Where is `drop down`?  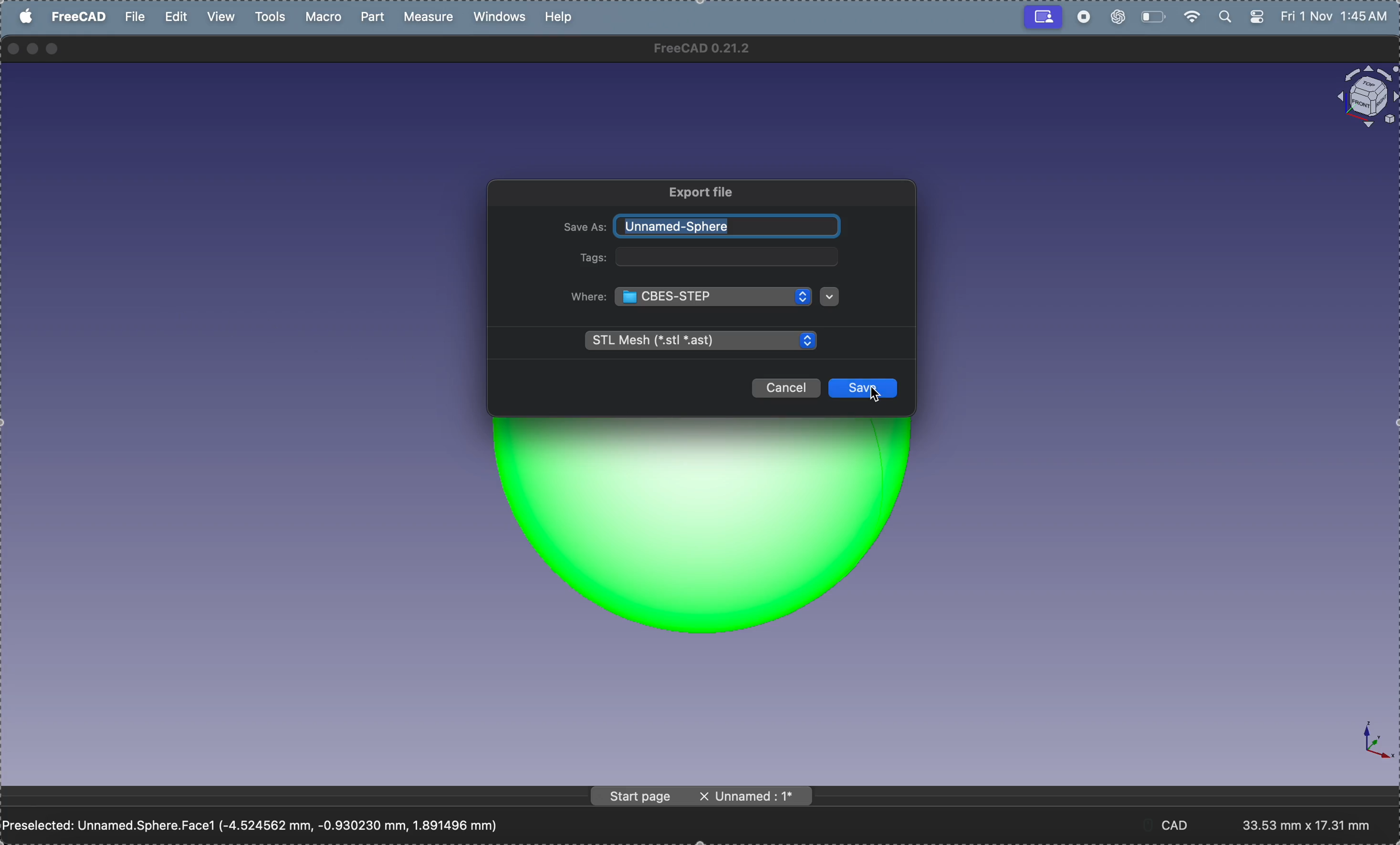 drop down is located at coordinates (830, 297).